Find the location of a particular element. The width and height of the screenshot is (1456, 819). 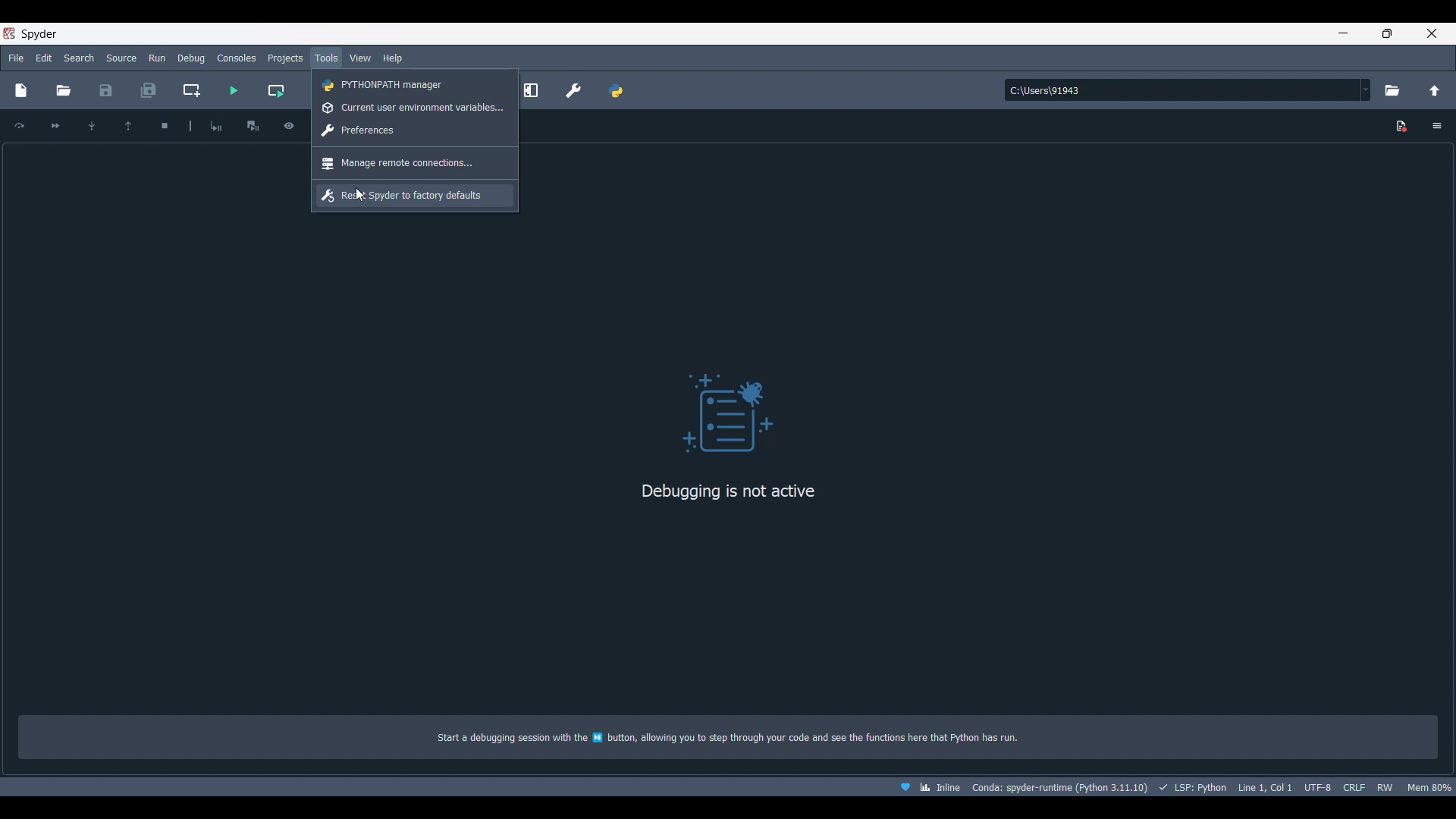

LSP: Python is located at coordinates (1191, 787).